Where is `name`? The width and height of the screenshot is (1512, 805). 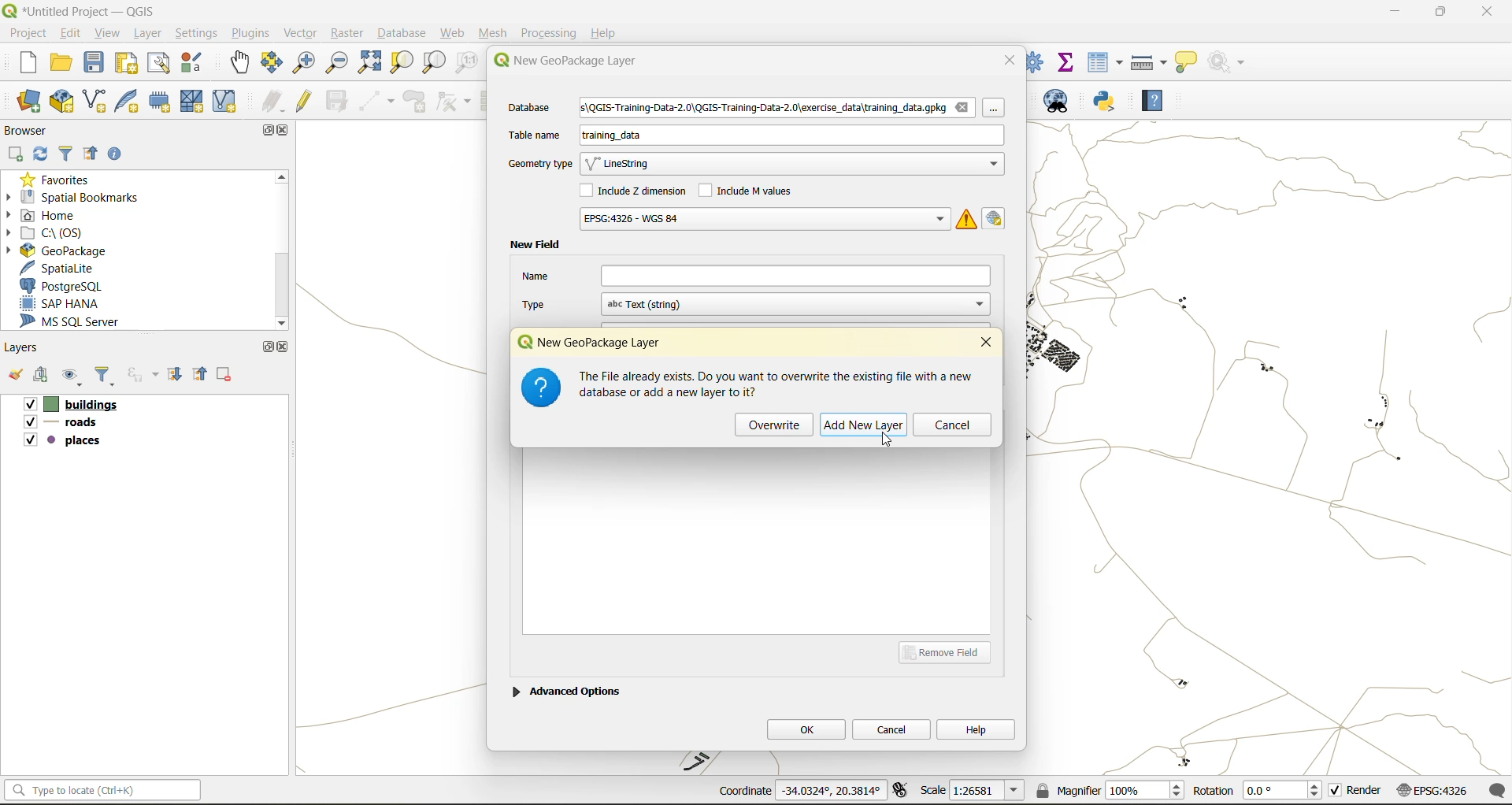
name is located at coordinates (755, 276).